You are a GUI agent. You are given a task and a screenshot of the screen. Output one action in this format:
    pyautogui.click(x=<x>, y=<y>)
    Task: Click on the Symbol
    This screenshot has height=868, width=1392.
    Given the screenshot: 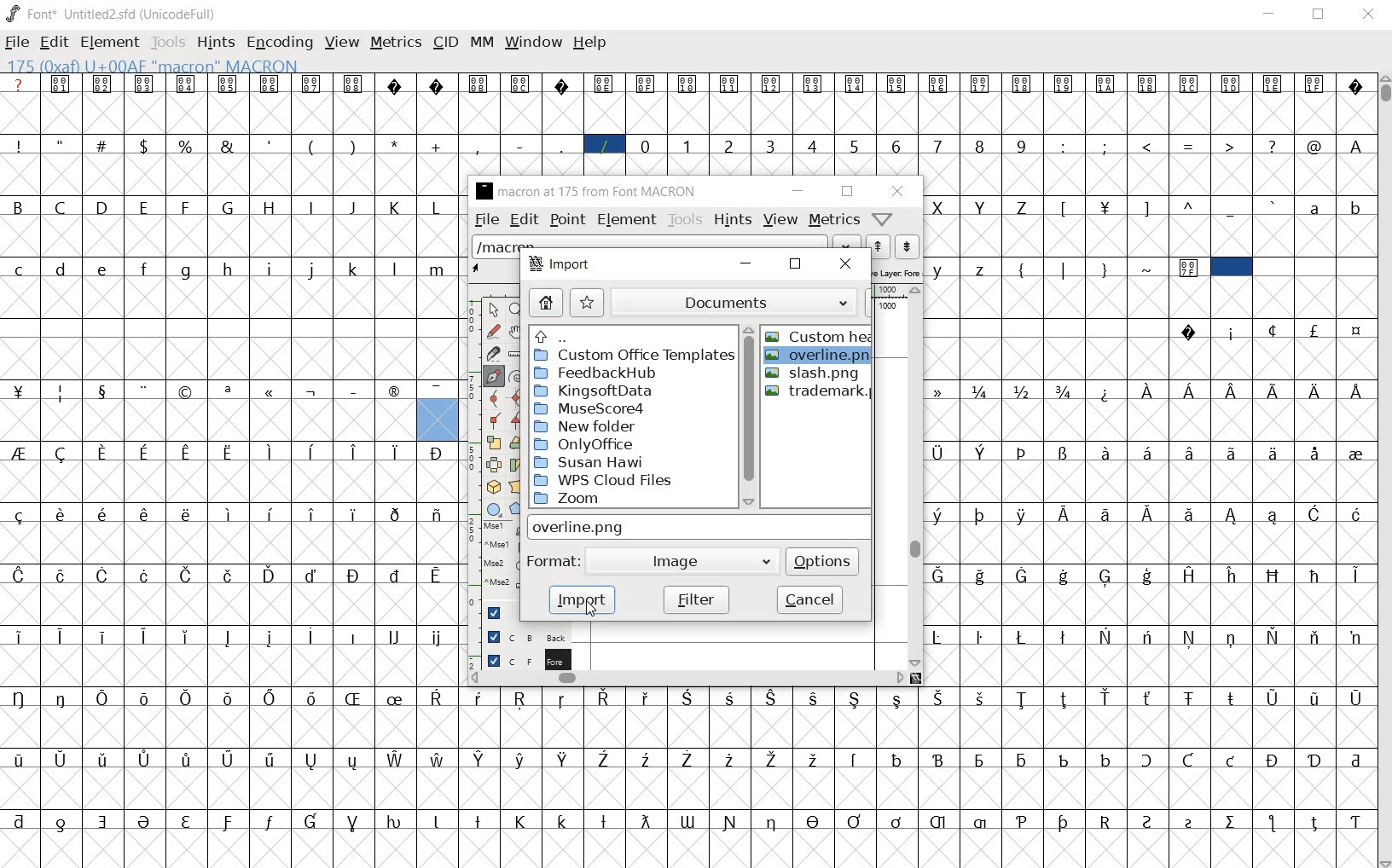 What is the action you would take?
    pyautogui.click(x=397, y=759)
    